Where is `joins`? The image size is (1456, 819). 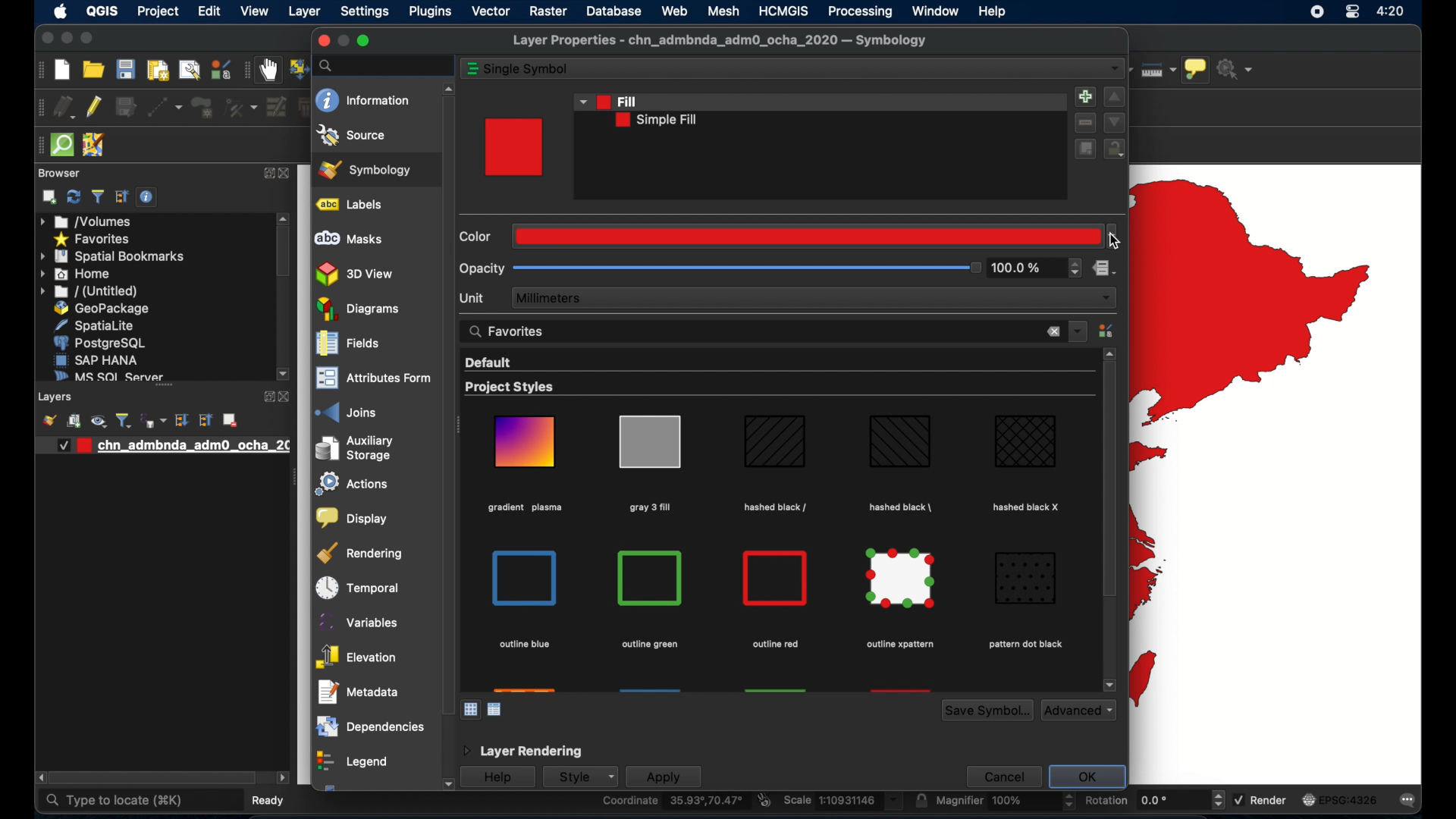
joins is located at coordinates (347, 412).